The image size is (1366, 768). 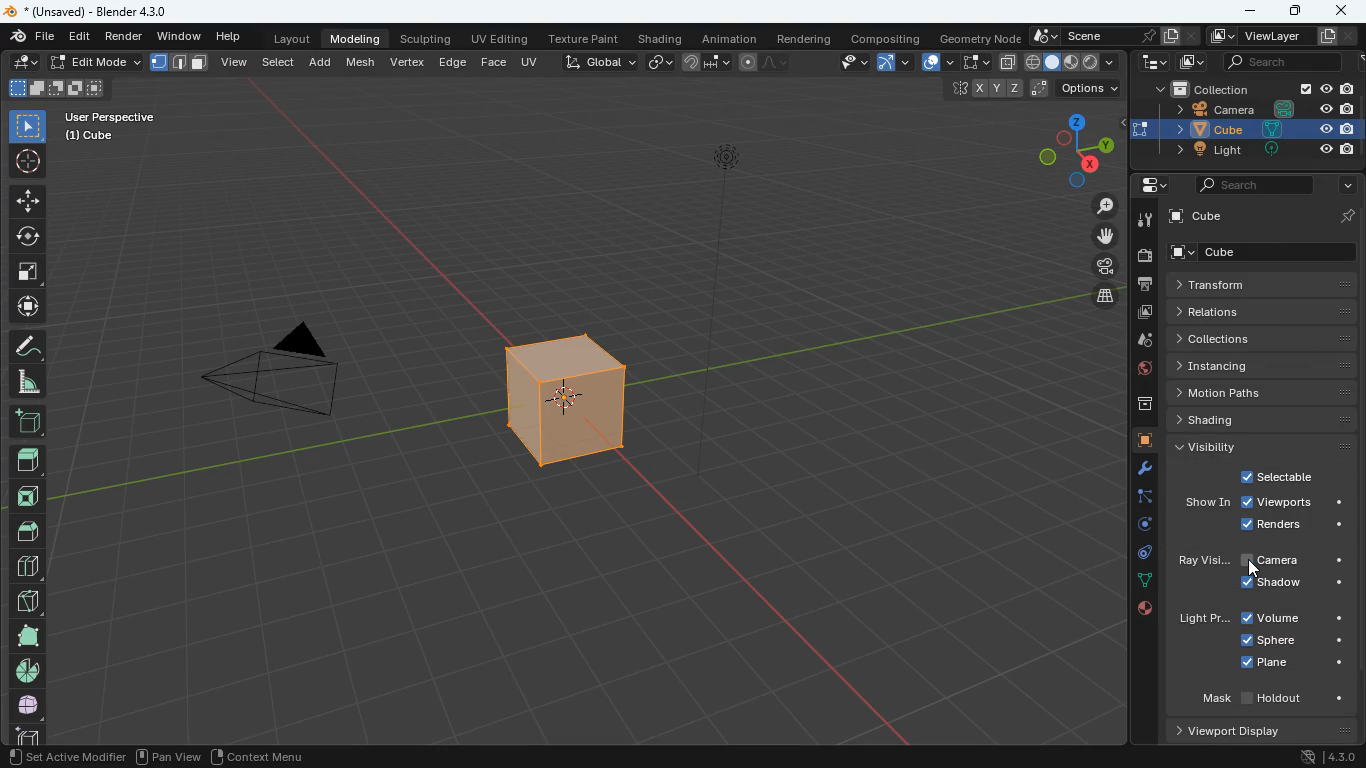 I want to click on more, so click(x=1347, y=185).